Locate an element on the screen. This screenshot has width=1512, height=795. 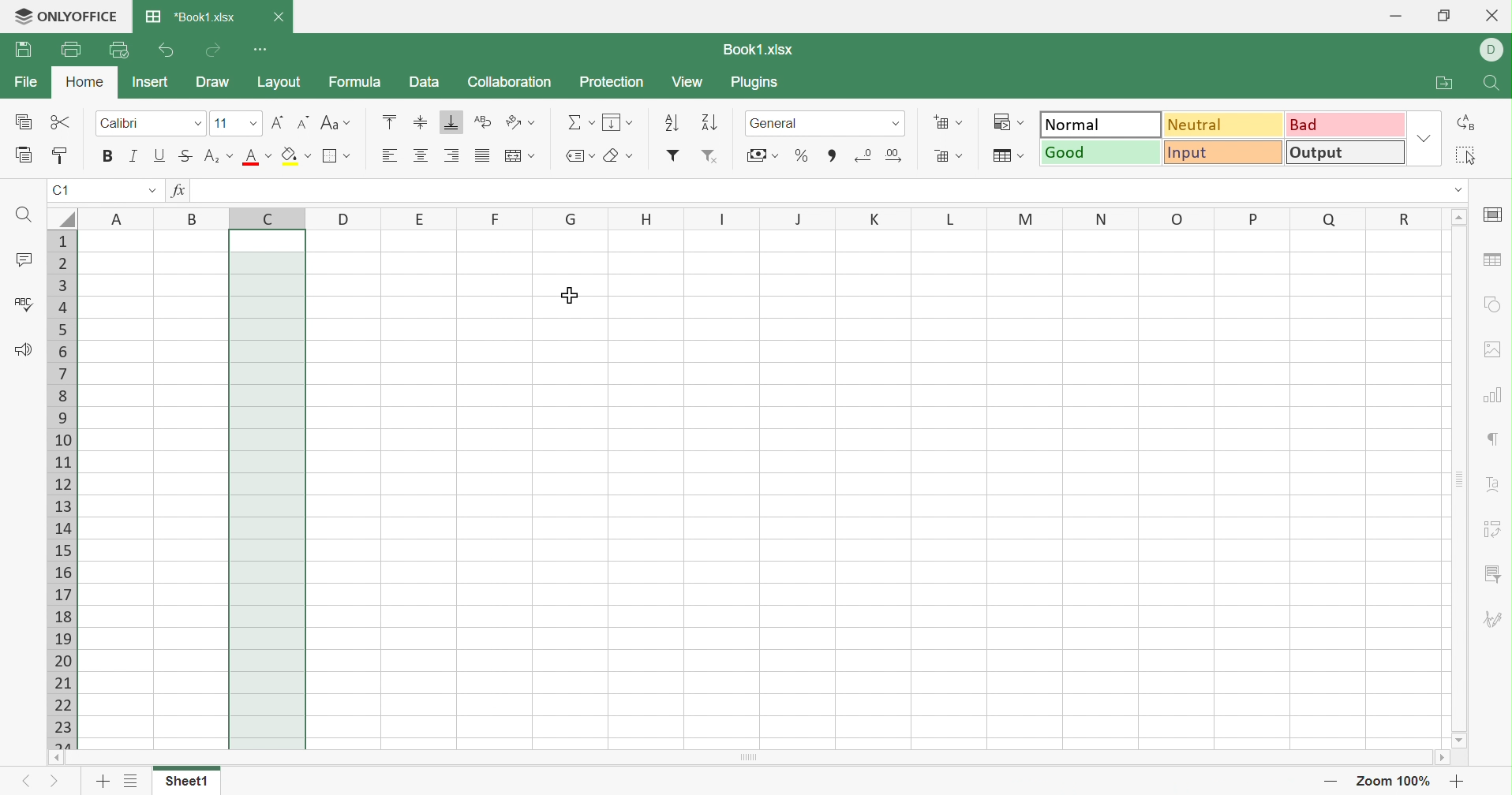
A1 is located at coordinates (61, 189).